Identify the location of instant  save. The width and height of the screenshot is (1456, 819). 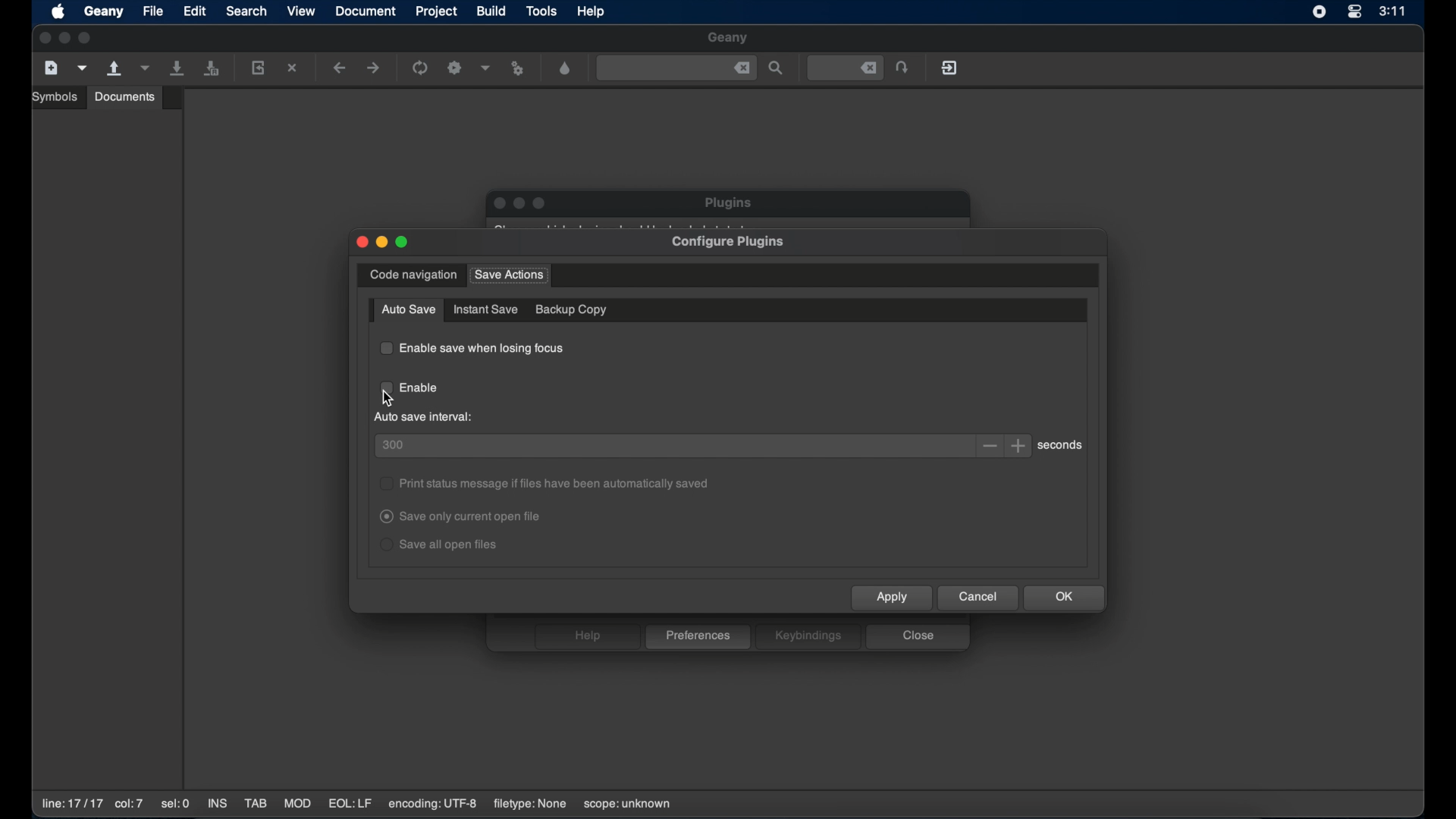
(485, 309).